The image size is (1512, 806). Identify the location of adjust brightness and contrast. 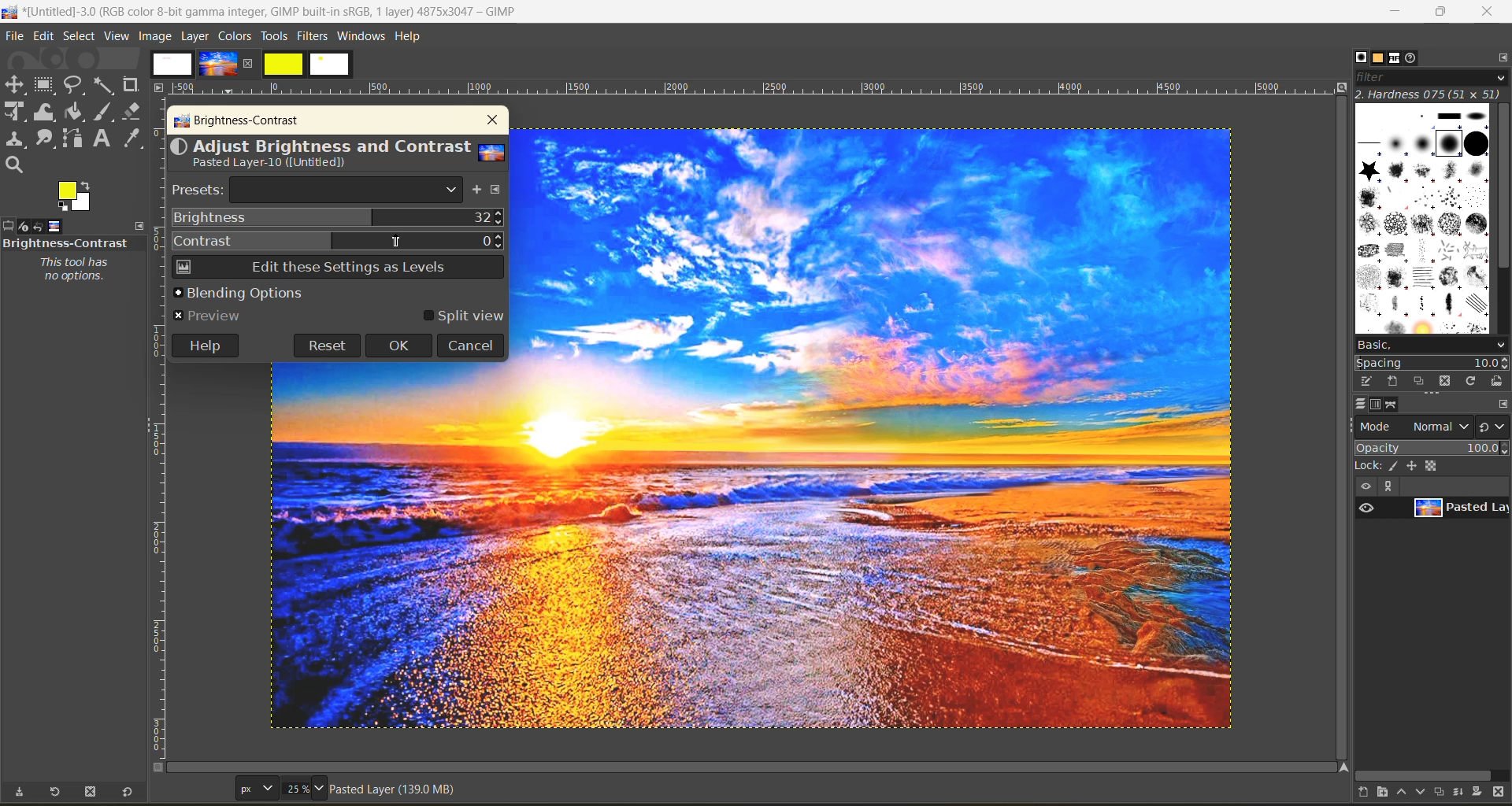
(337, 155).